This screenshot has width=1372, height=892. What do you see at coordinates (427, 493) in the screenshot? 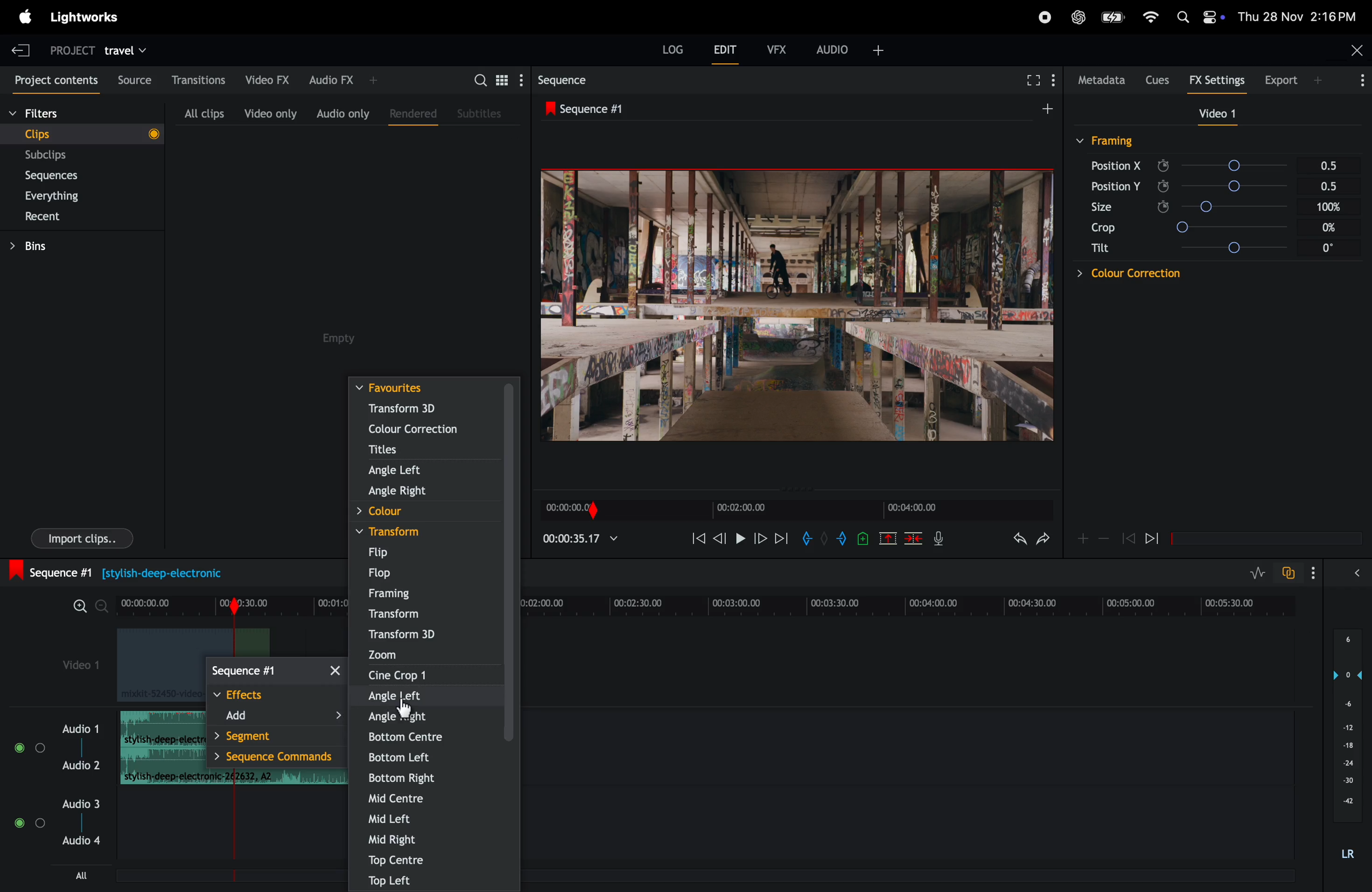
I see `angle right` at bounding box center [427, 493].